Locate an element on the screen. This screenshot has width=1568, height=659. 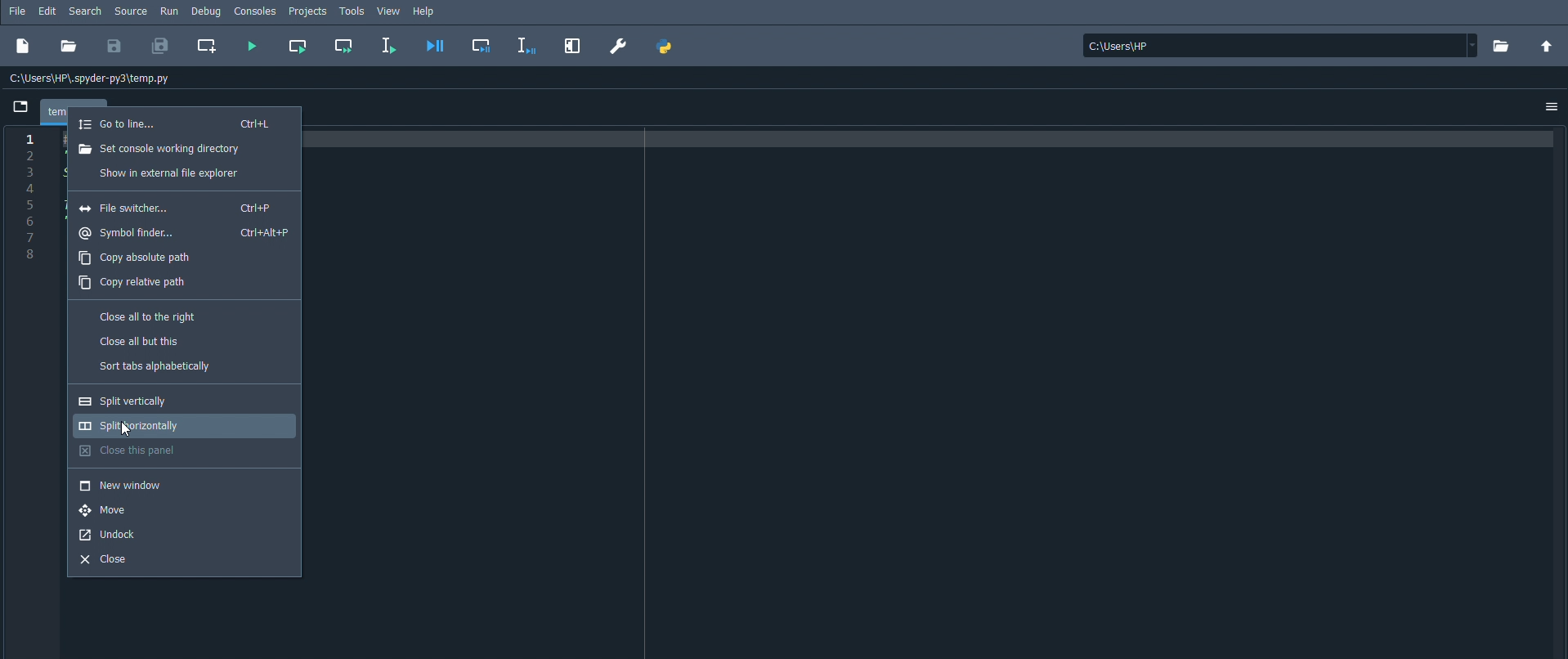
Debug selection or current line is located at coordinates (528, 44).